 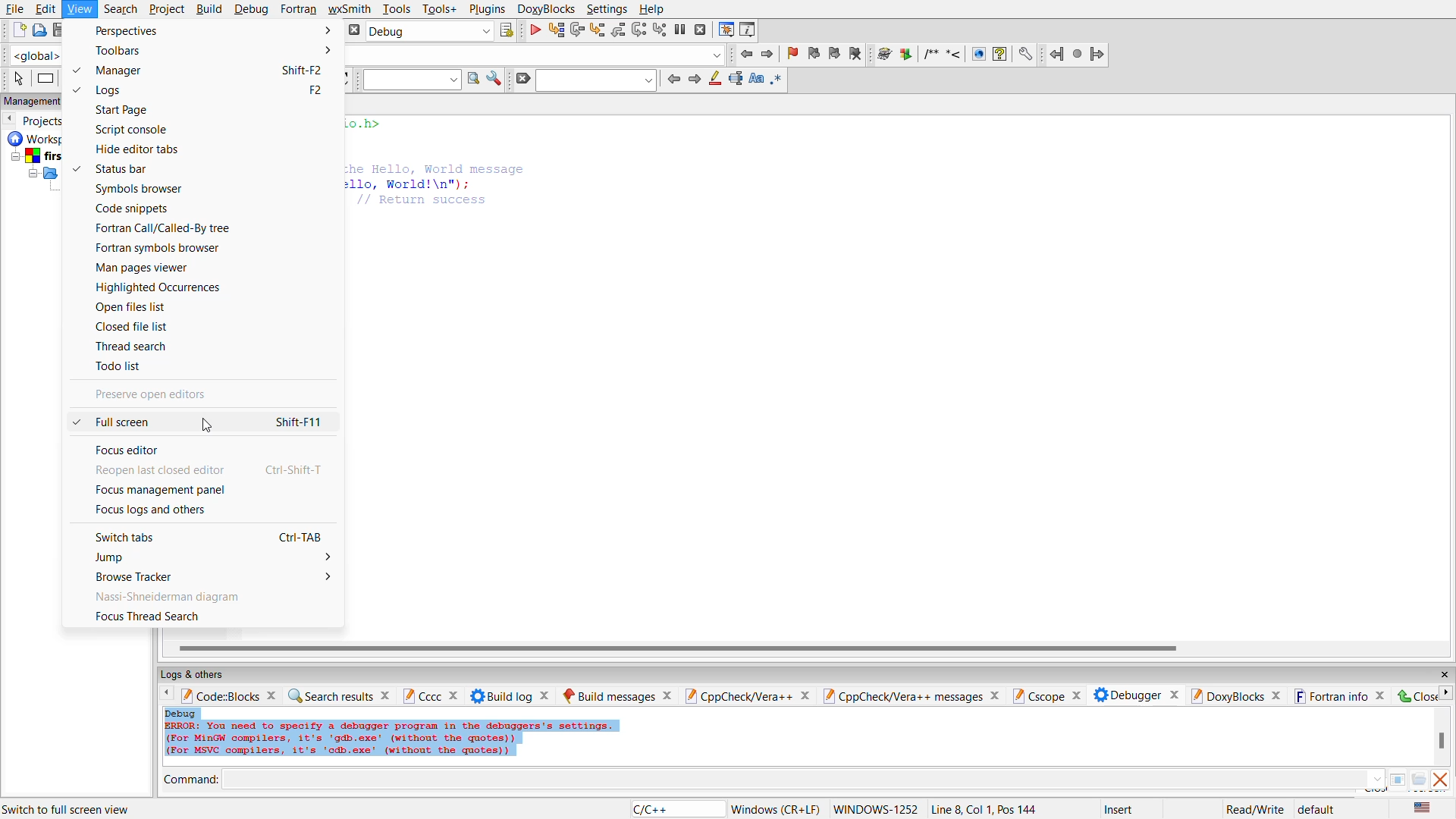 What do you see at coordinates (486, 9) in the screenshot?
I see `plugins` at bounding box center [486, 9].